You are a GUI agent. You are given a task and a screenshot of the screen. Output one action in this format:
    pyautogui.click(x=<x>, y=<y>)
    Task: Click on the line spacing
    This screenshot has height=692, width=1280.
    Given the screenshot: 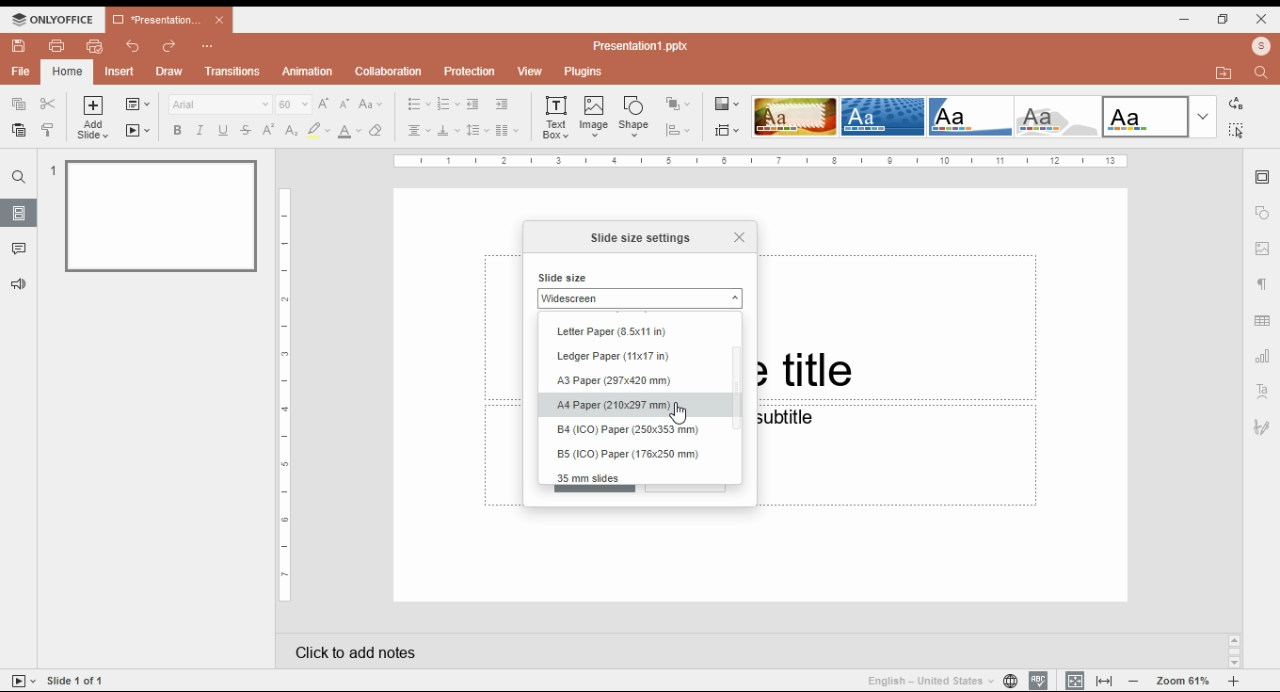 What is the action you would take?
    pyautogui.click(x=478, y=131)
    